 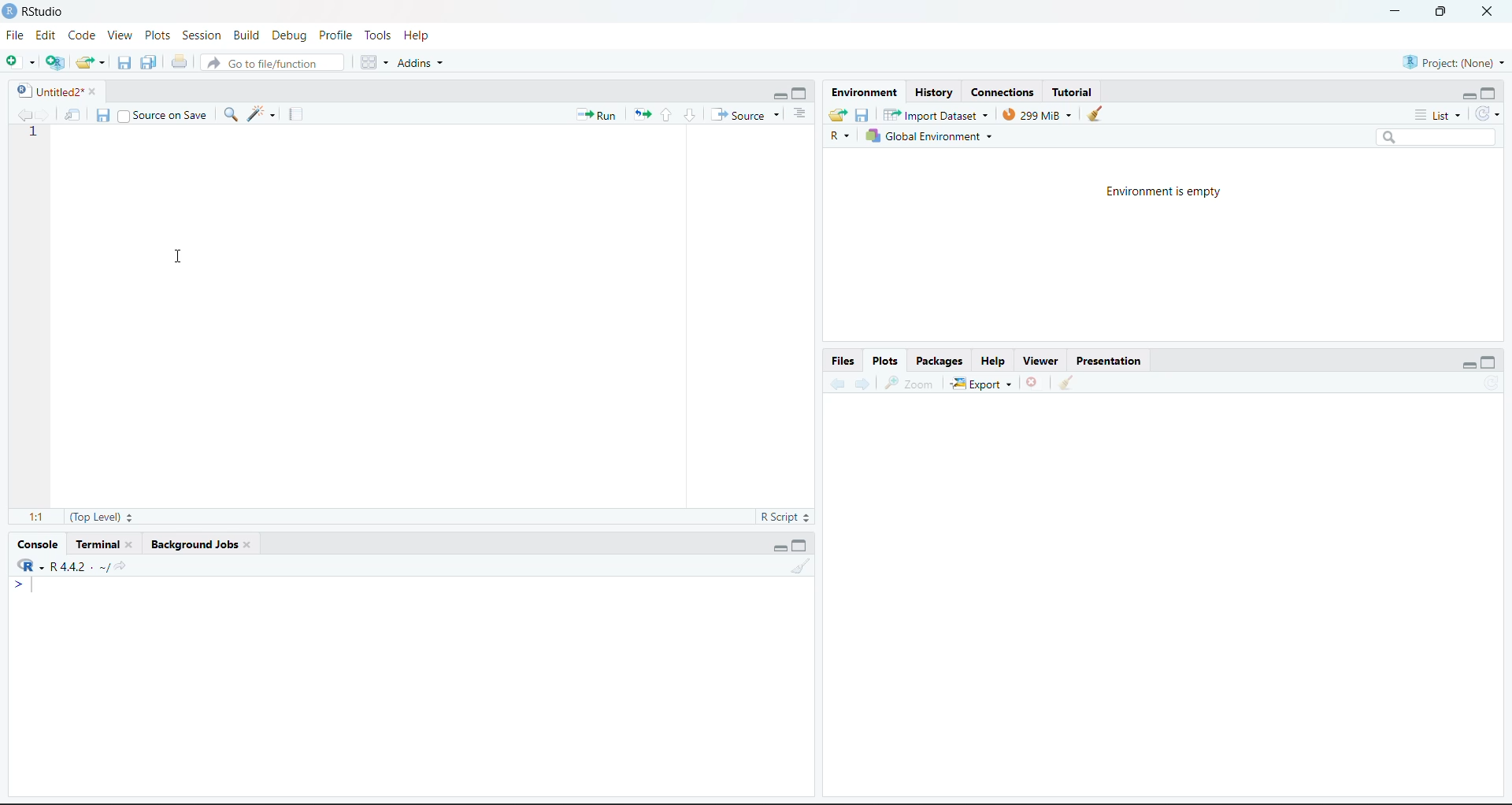 I want to click on search bar, so click(x=1435, y=137).